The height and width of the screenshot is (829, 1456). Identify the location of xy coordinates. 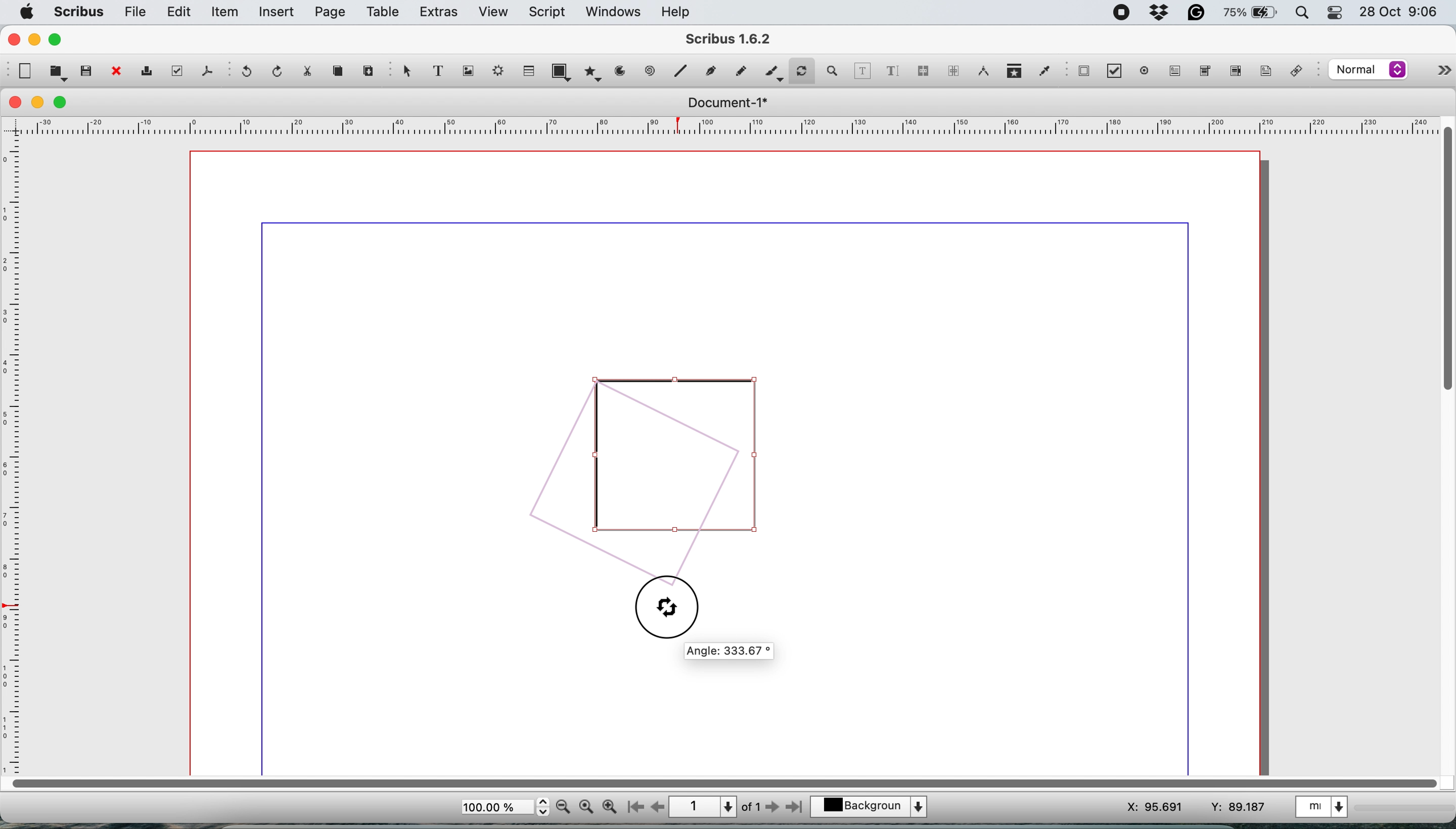
(1177, 805).